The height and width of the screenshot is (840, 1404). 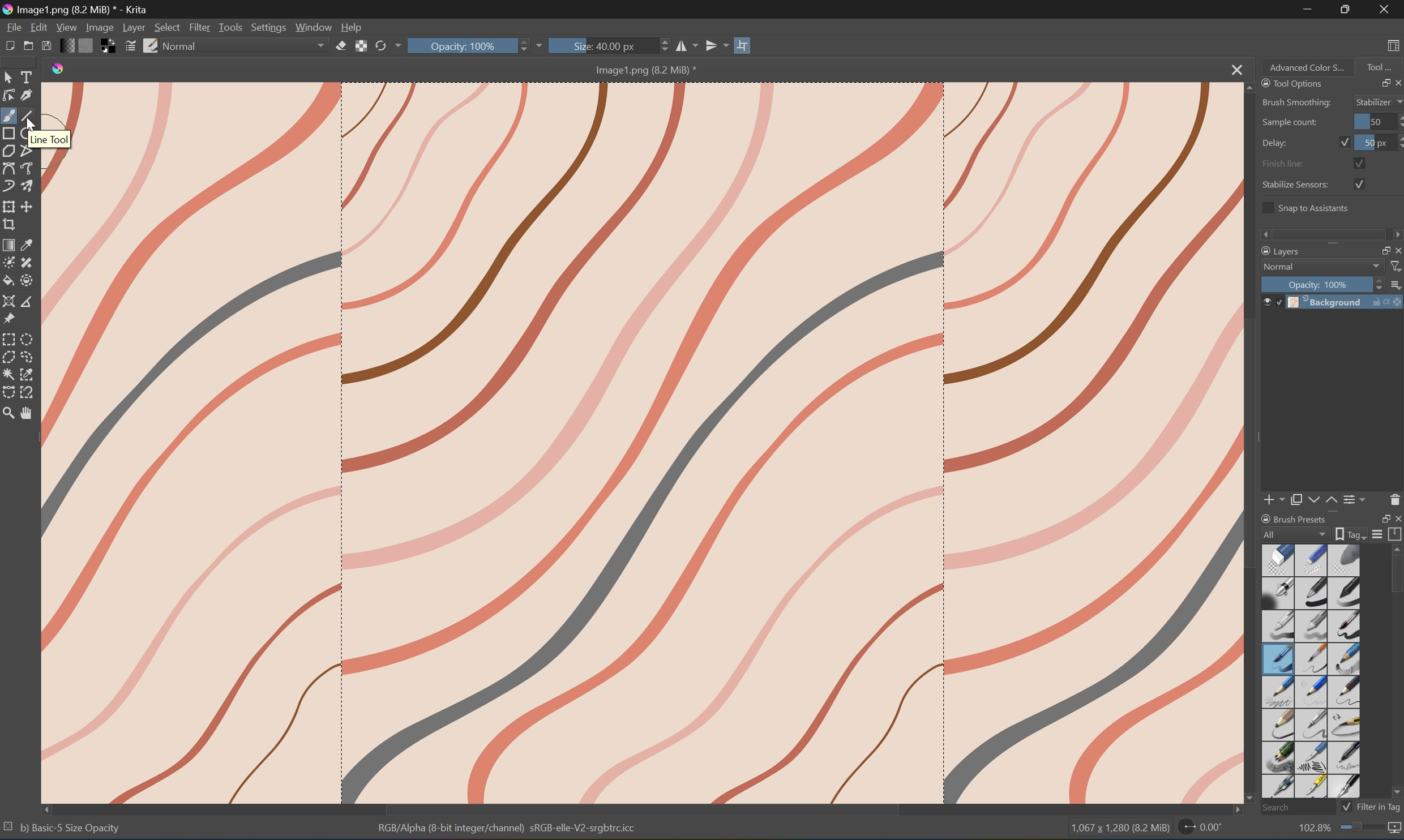 I want to click on Background, so click(x=1347, y=302).